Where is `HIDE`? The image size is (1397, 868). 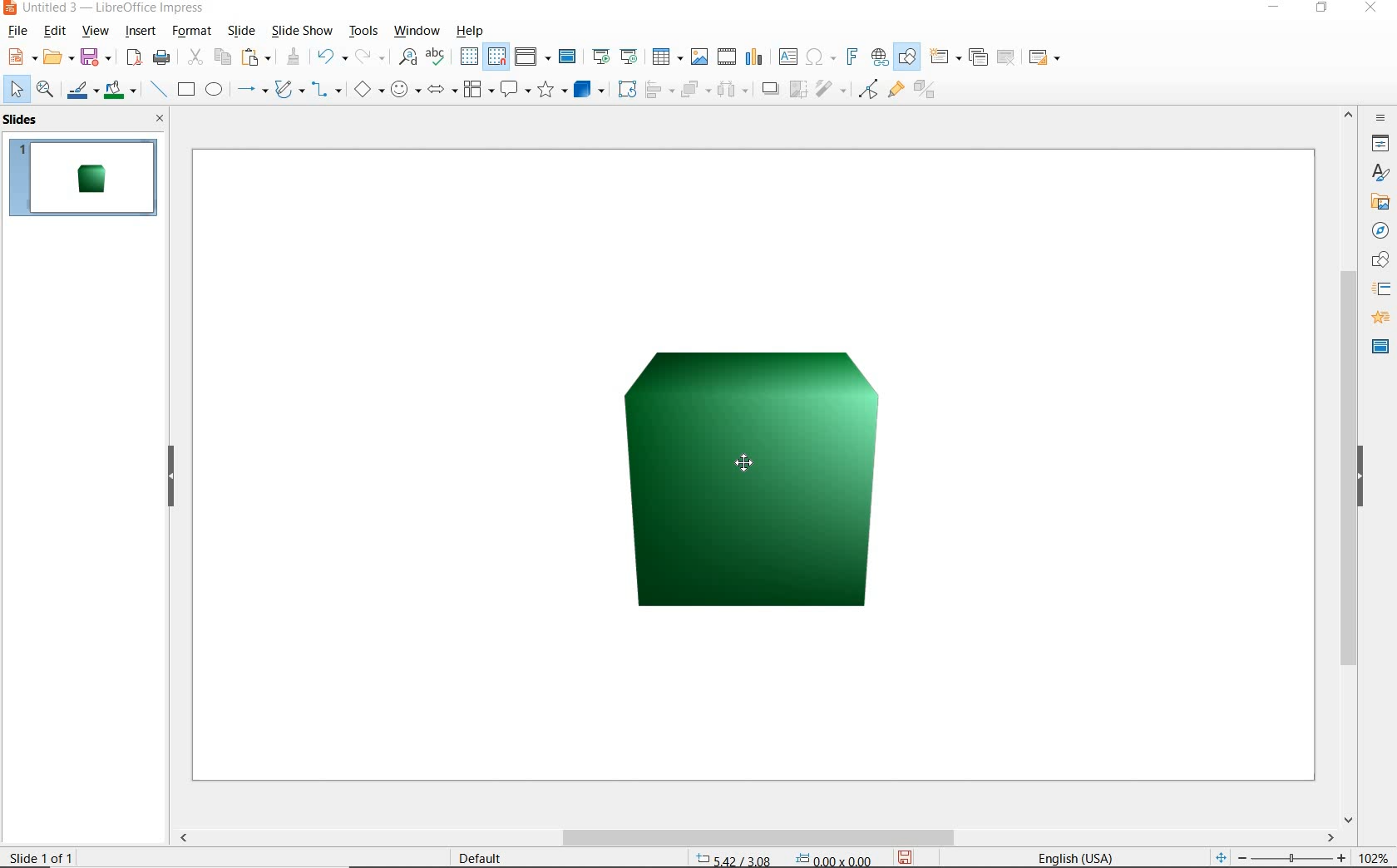 HIDE is located at coordinates (1373, 479).